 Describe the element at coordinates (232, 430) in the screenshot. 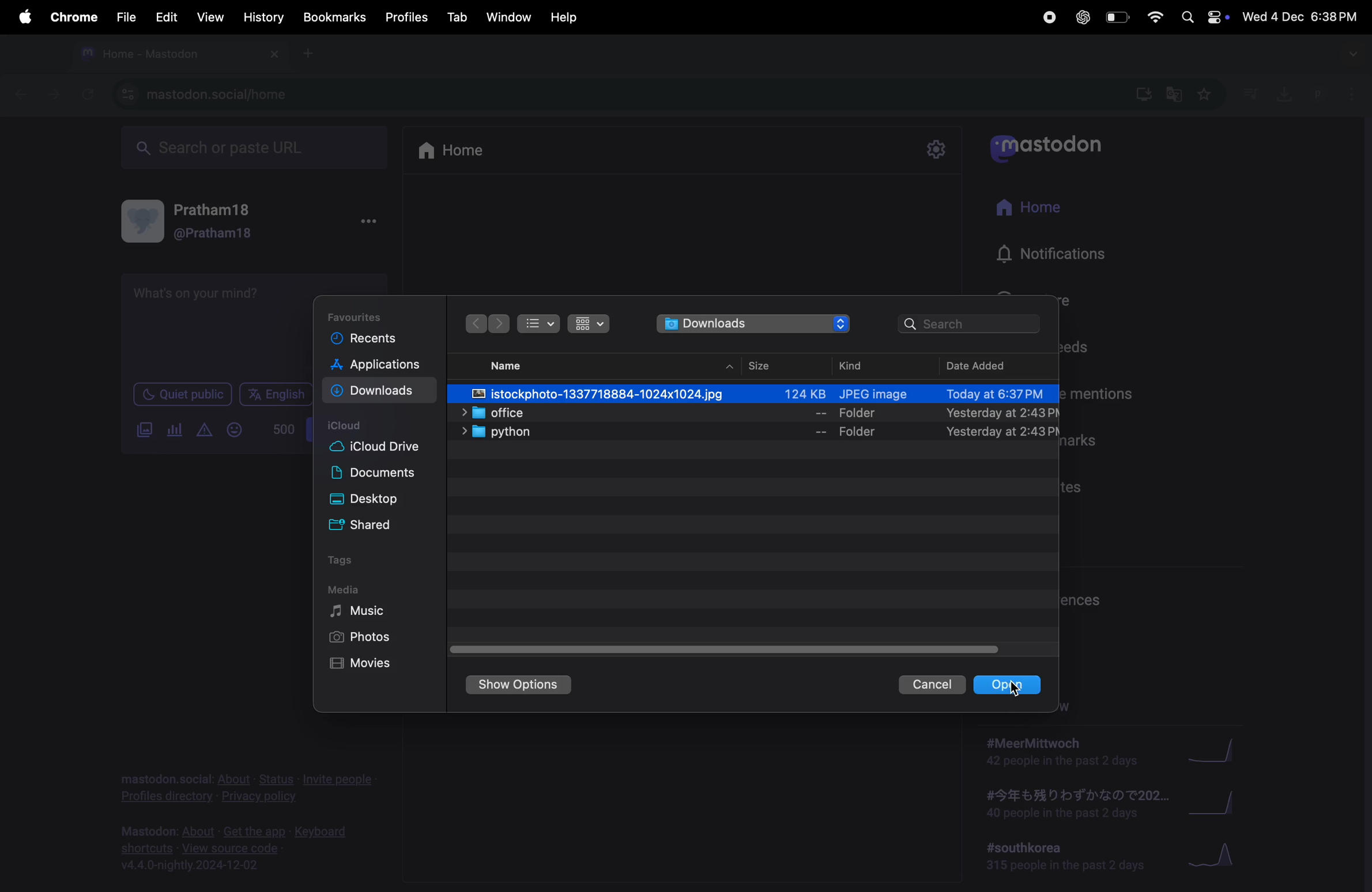

I see `Emoji` at that location.